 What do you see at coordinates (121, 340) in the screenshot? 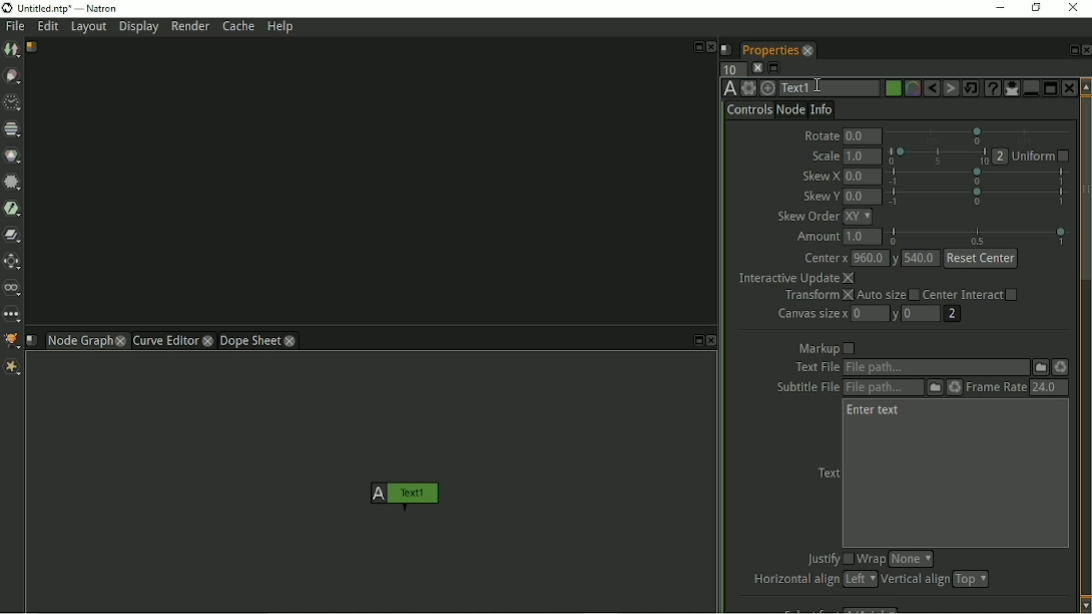
I see `close` at bounding box center [121, 340].